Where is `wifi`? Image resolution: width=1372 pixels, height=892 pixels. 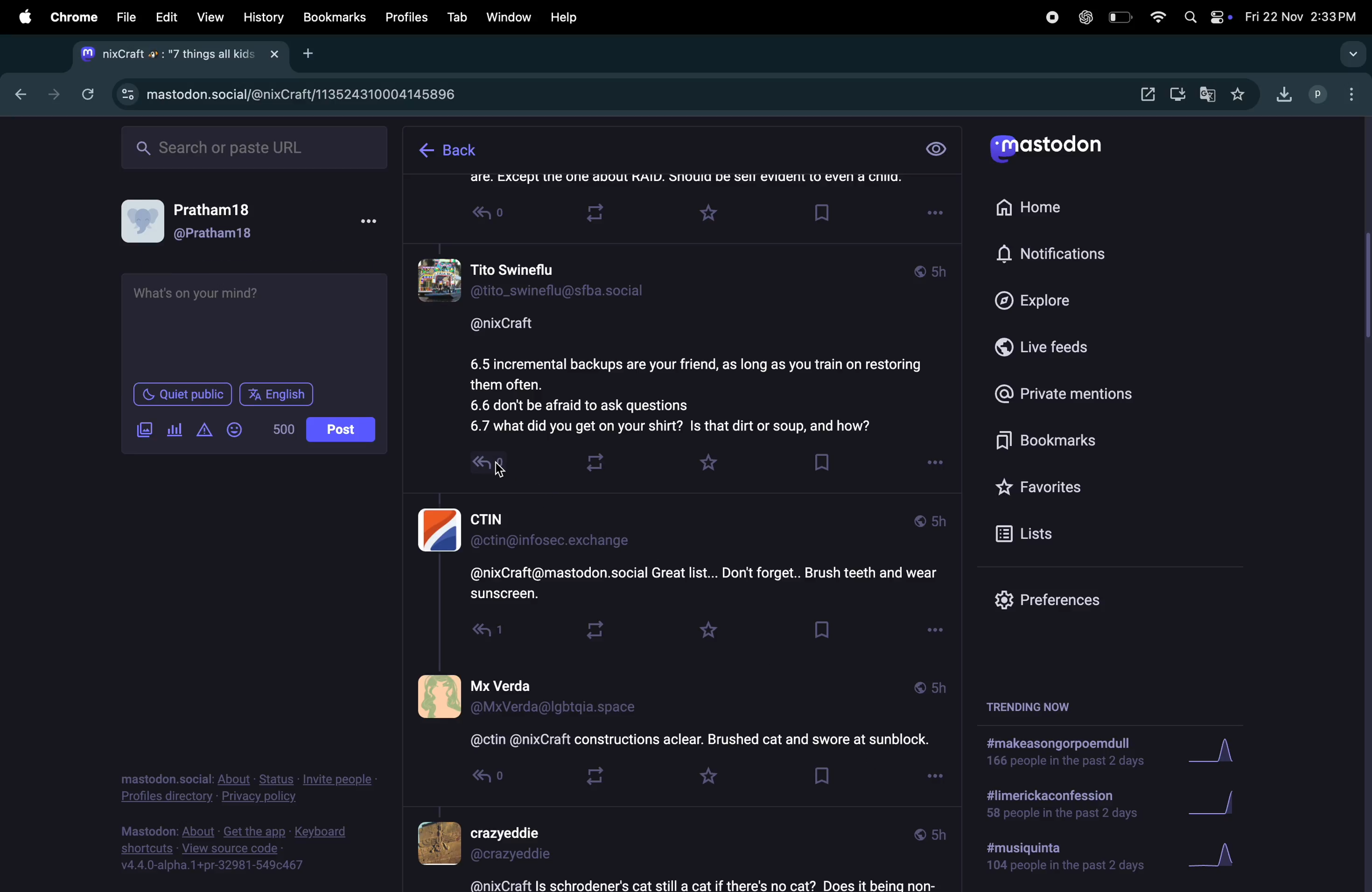 wifi is located at coordinates (1156, 18).